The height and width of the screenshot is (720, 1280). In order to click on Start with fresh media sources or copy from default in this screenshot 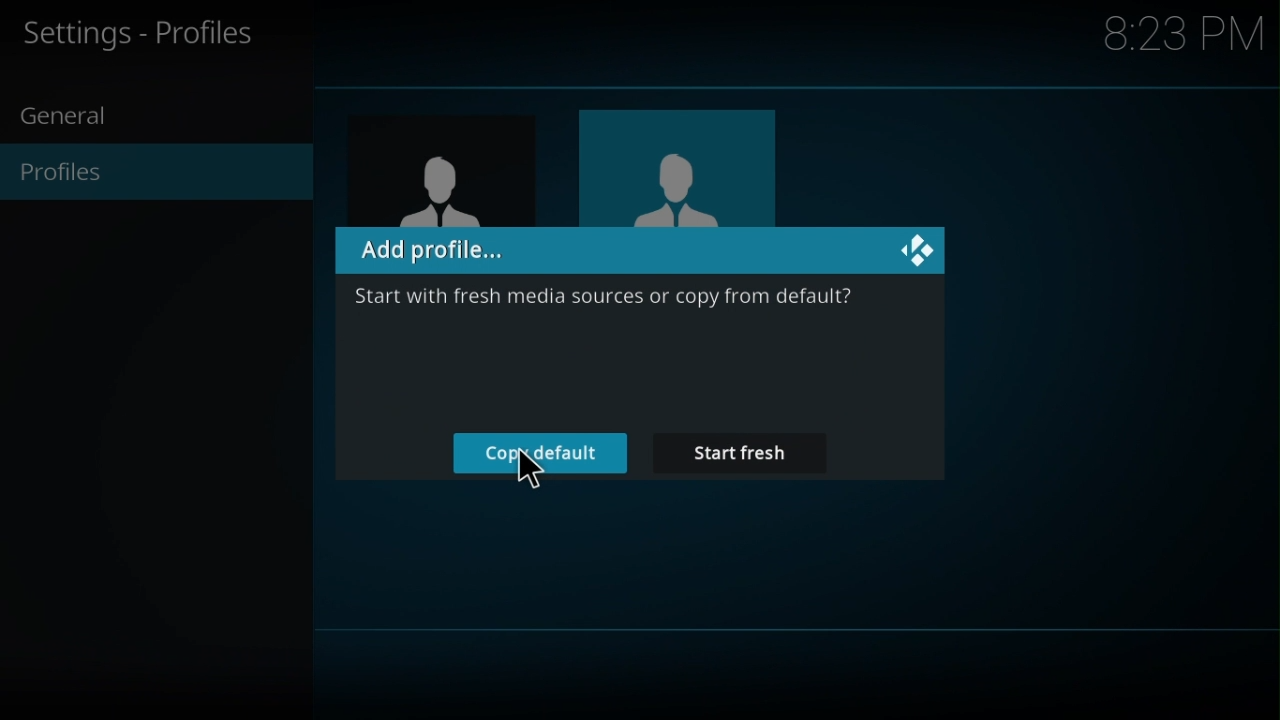, I will do `click(603, 302)`.